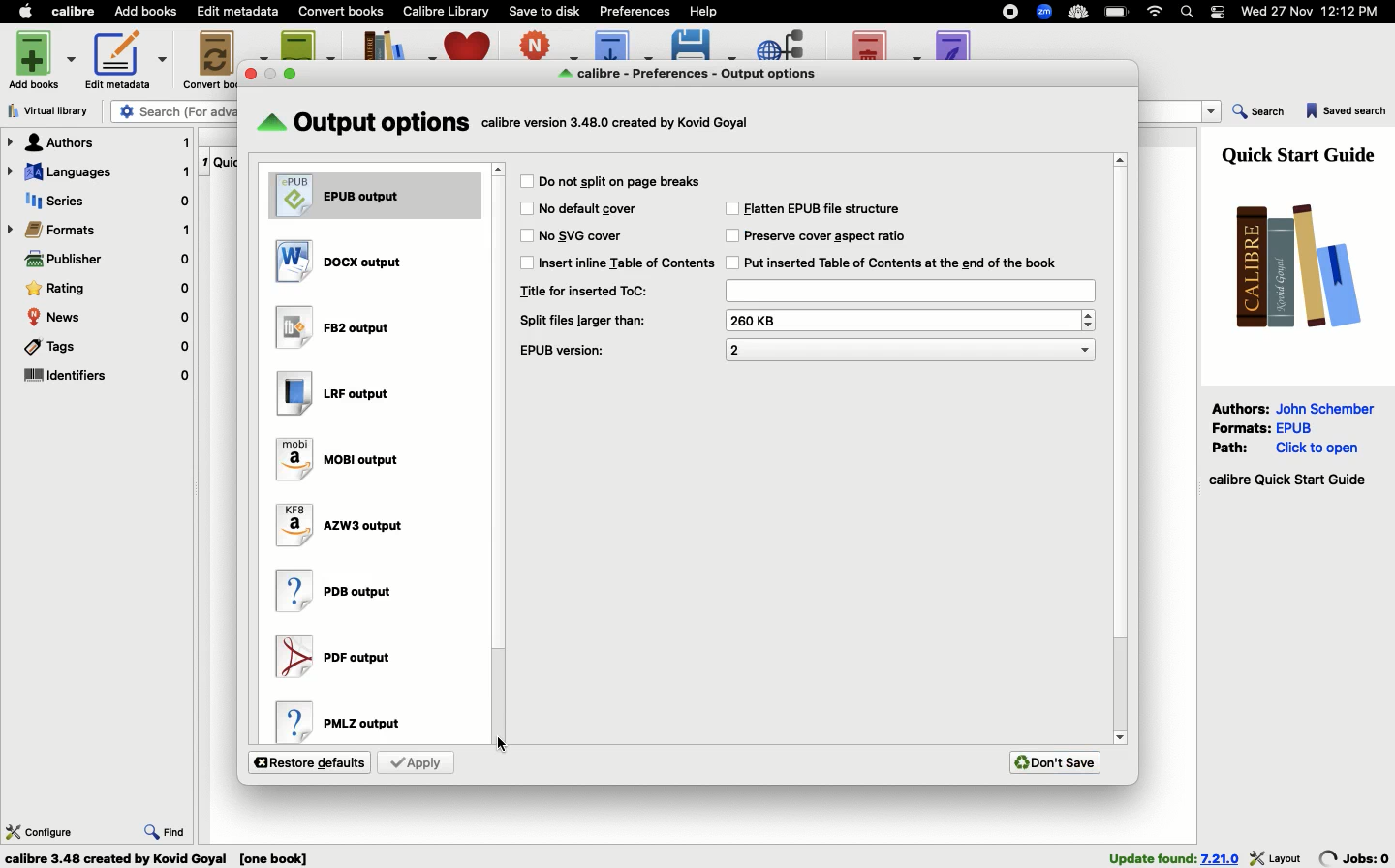  I want to click on MOBI, so click(340, 461).